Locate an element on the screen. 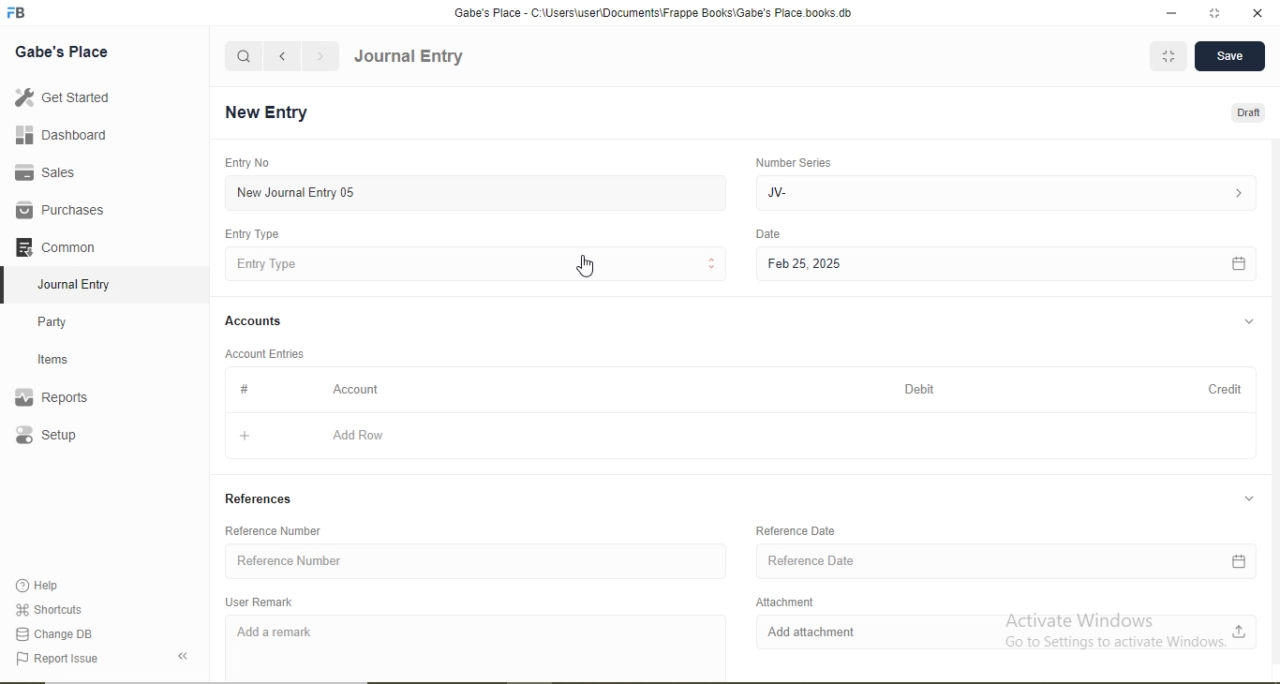 Image resolution: width=1280 pixels, height=684 pixels. Account is located at coordinates (357, 389).